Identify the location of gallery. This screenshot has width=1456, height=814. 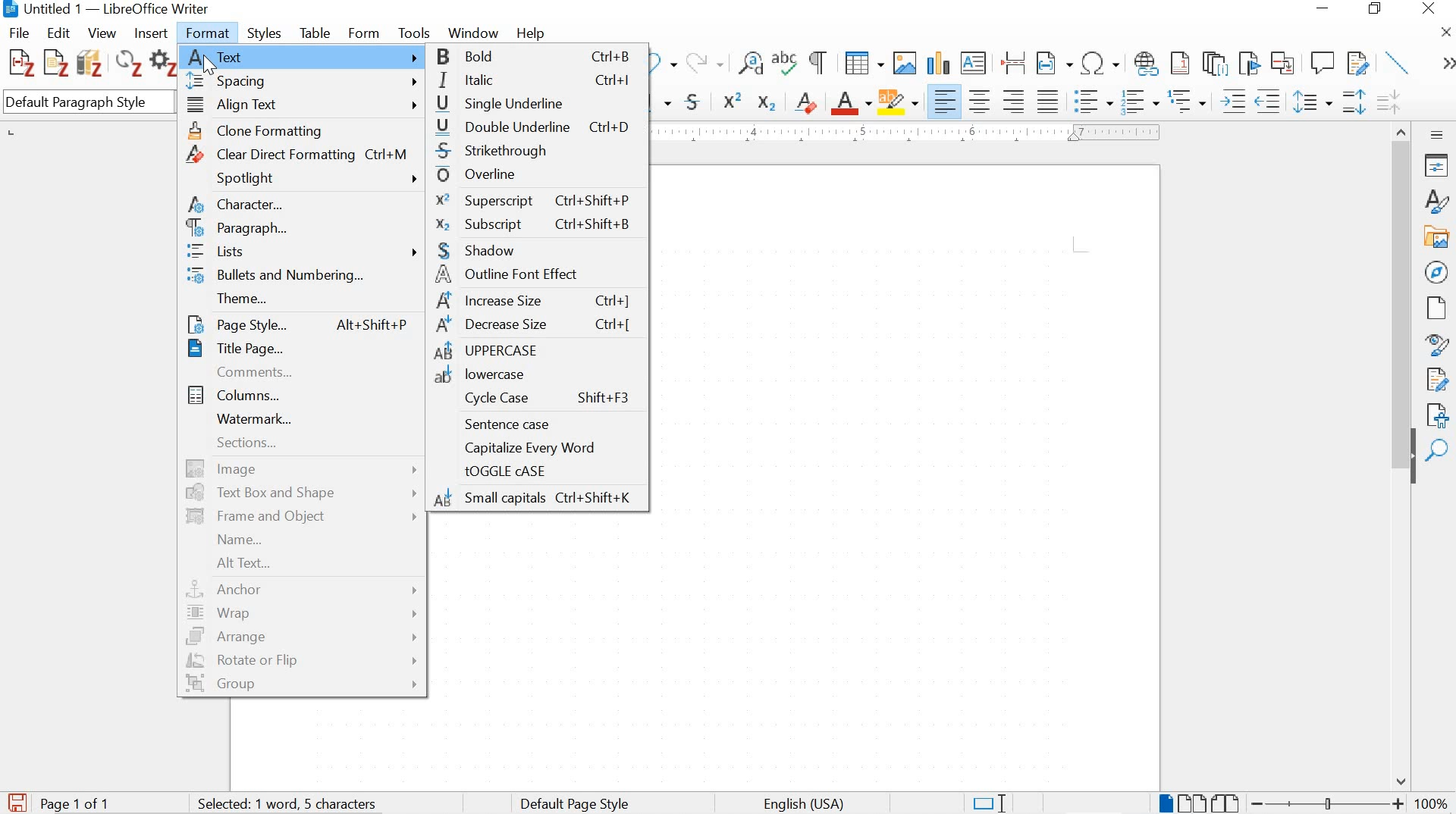
(1438, 236).